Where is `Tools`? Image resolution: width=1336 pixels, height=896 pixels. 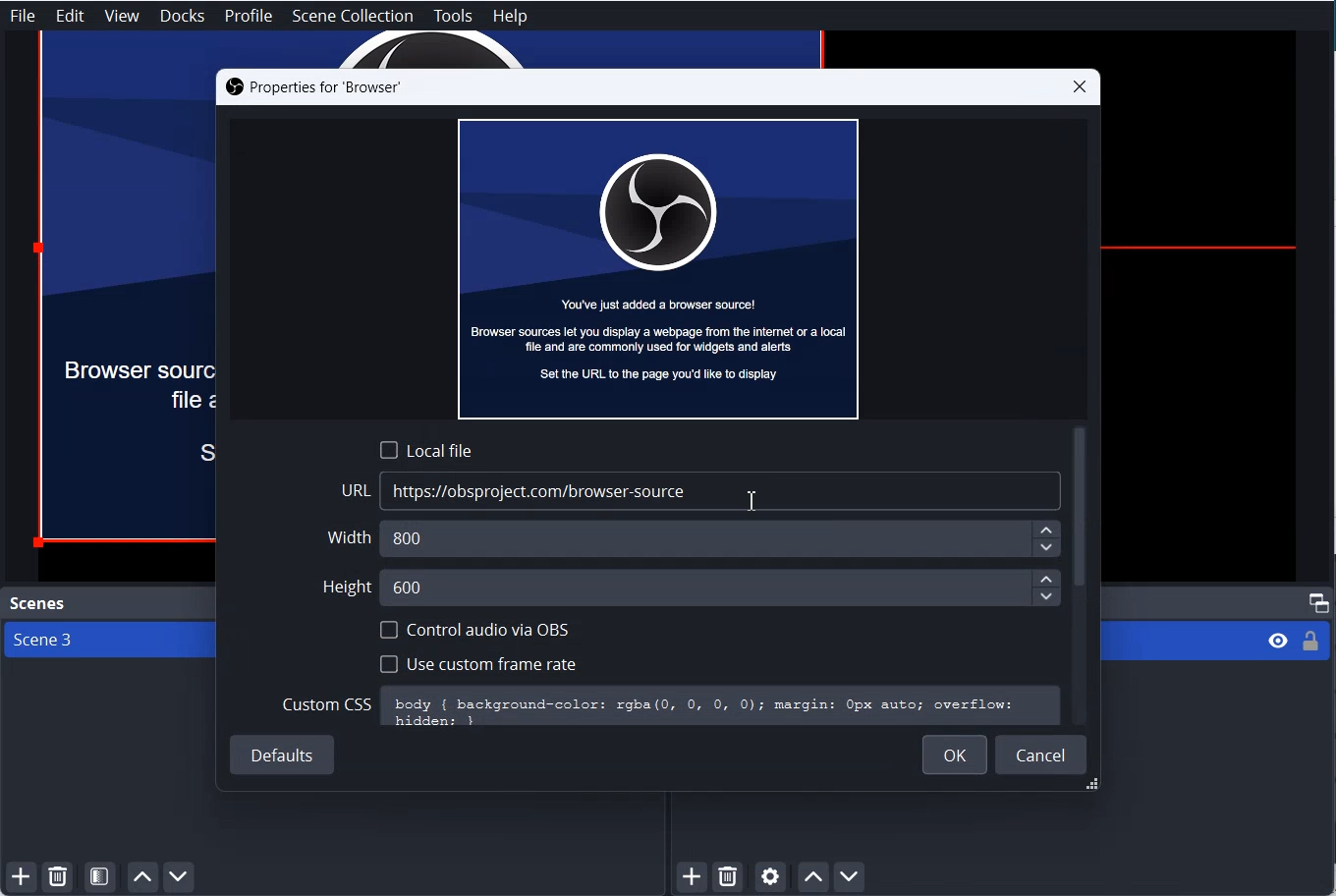 Tools is located at coordinates (453, 17).